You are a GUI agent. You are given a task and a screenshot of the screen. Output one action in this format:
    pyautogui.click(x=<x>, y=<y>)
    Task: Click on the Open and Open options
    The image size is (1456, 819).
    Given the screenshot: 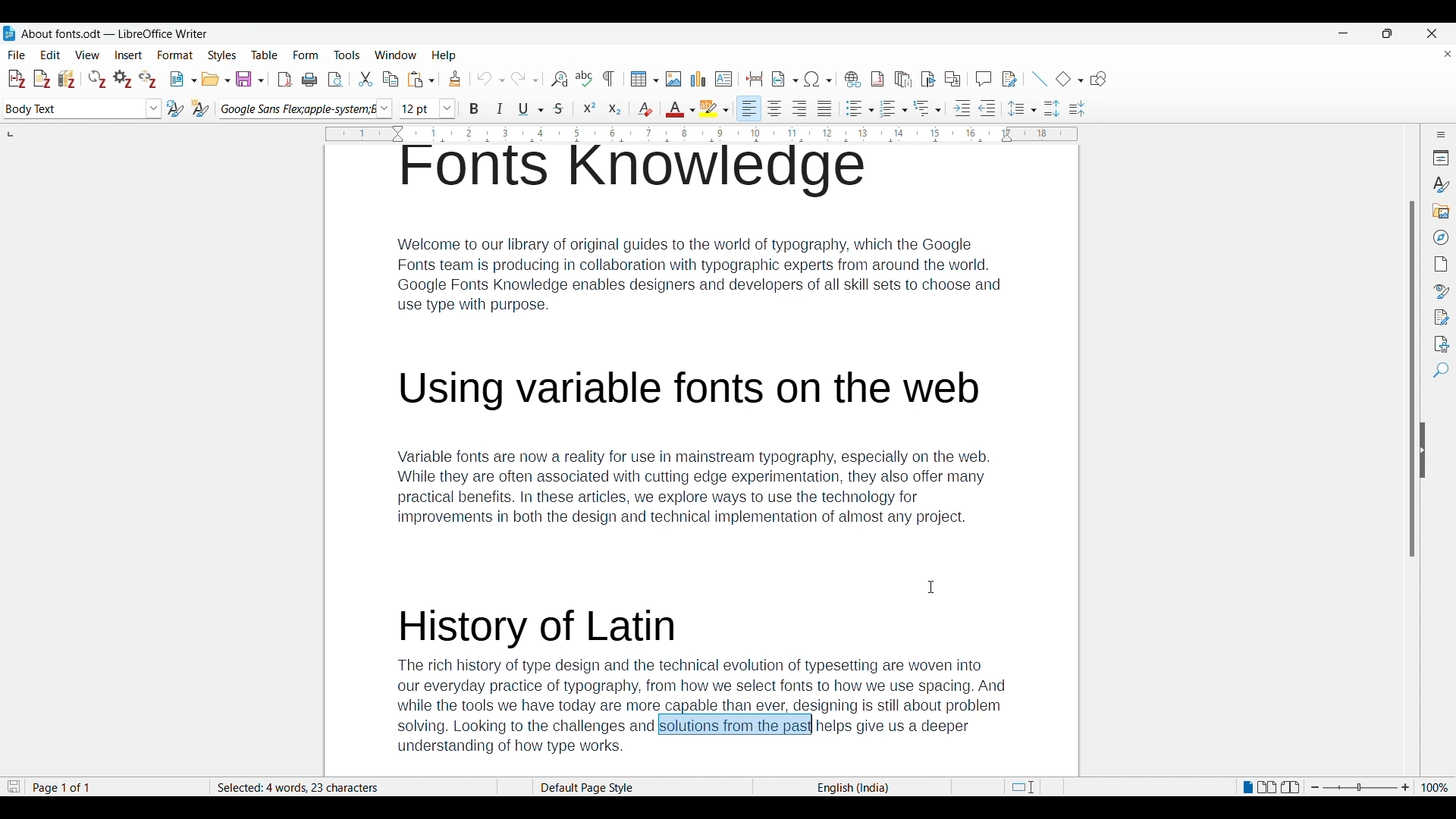 What is the action you would take?
    pyautogui.click(x=216, y=80)
    